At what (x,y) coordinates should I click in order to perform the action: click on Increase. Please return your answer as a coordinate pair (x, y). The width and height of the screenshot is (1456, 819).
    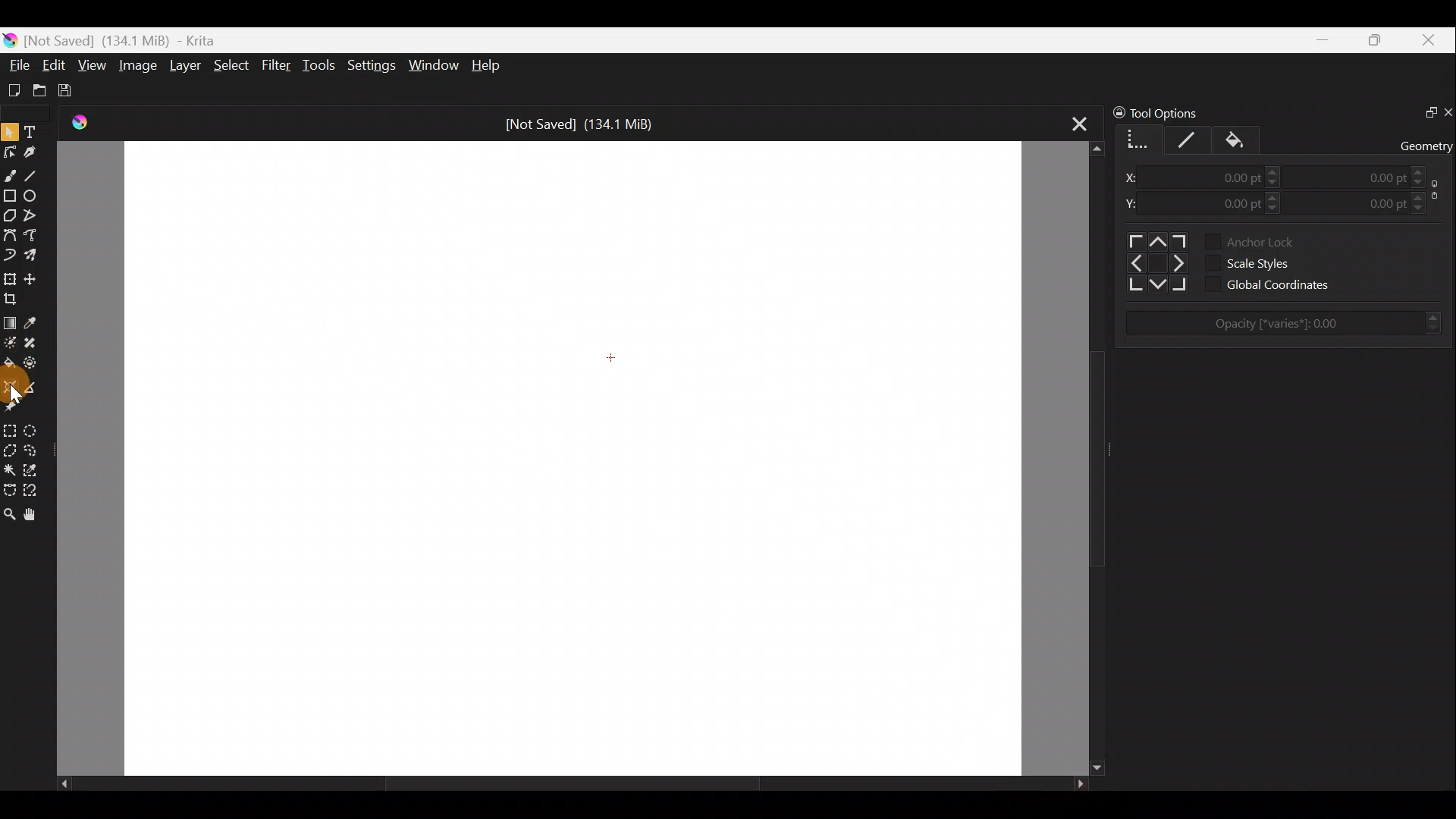
    Looking at the image, I should click on (1421, 196).